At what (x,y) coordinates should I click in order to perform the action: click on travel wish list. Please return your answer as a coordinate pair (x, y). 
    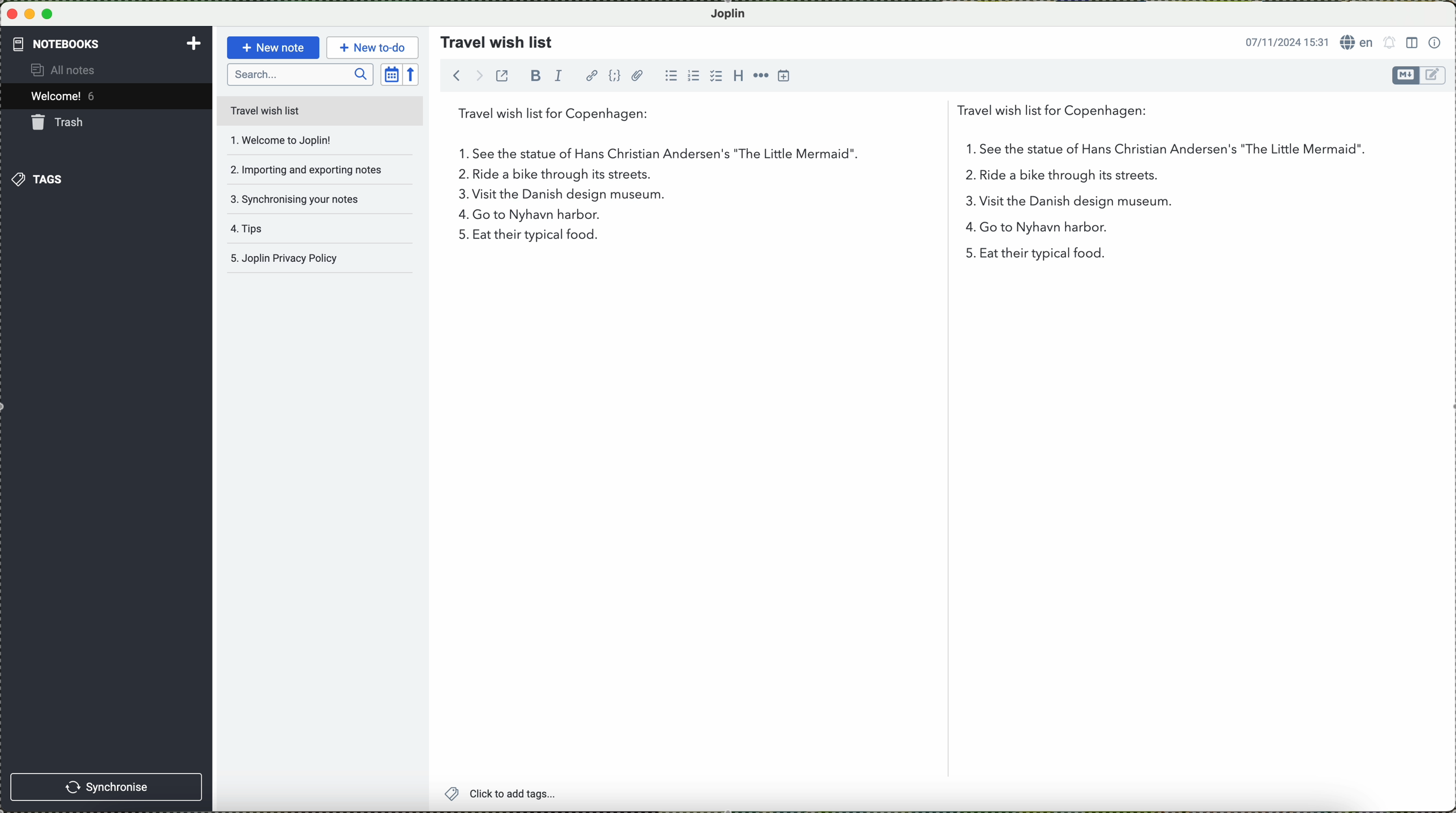
    Looking at the image, I should click on (492, 38).